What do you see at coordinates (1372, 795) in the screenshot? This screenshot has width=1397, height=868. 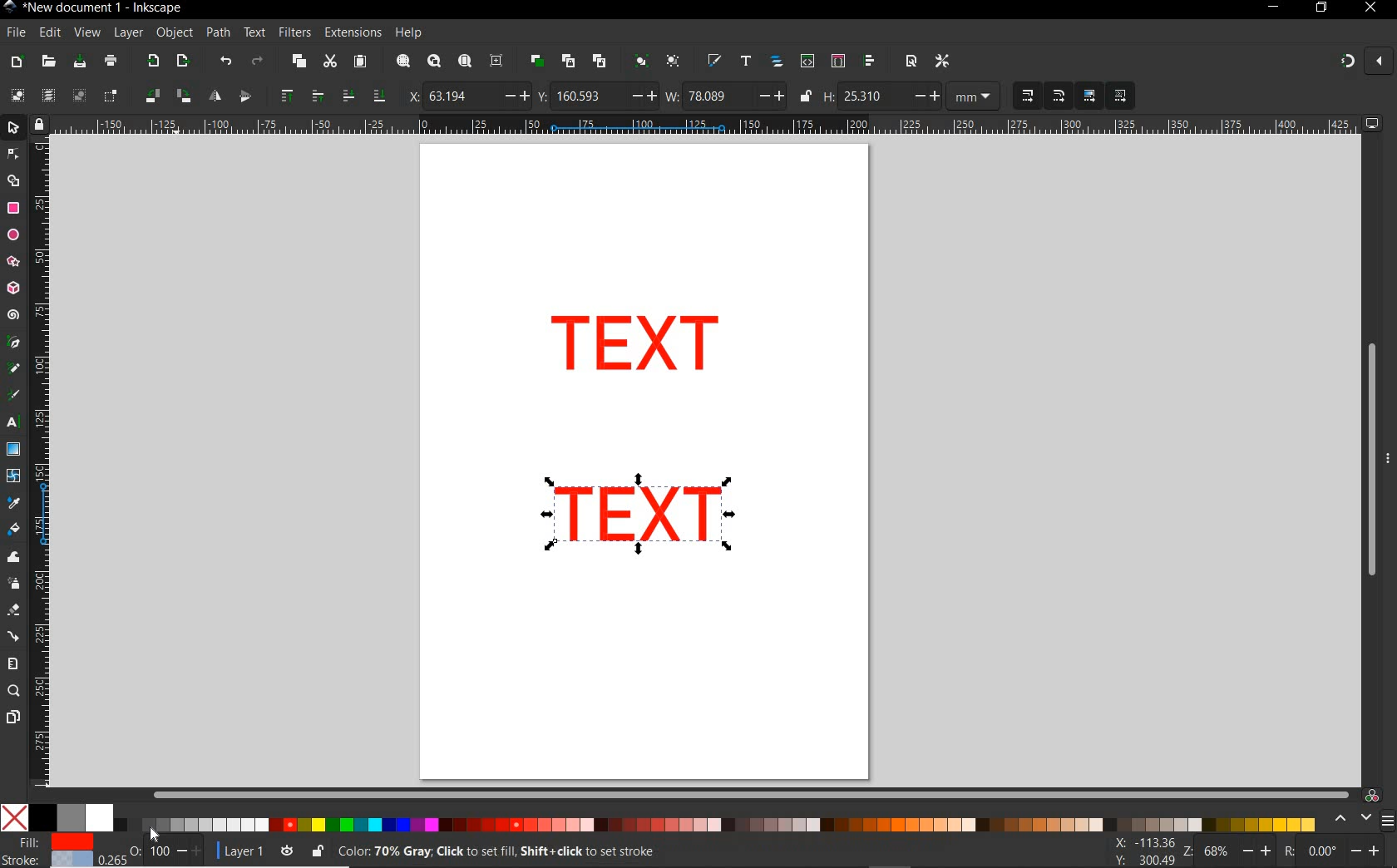 I see `color managed code` at bounding box center [1372, 795].